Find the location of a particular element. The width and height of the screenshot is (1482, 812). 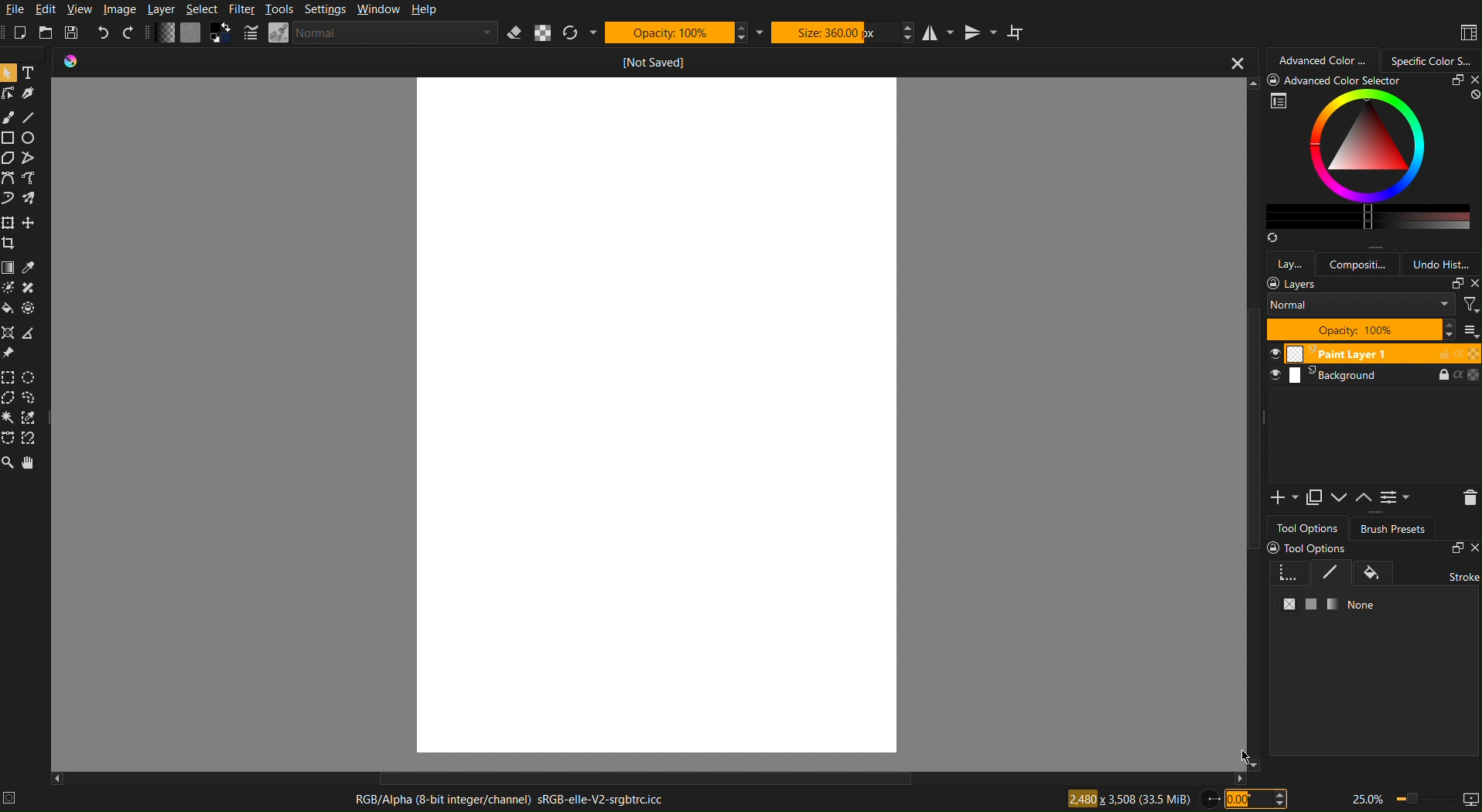

Specific Color Selector is located at coordinates (1435, 59).